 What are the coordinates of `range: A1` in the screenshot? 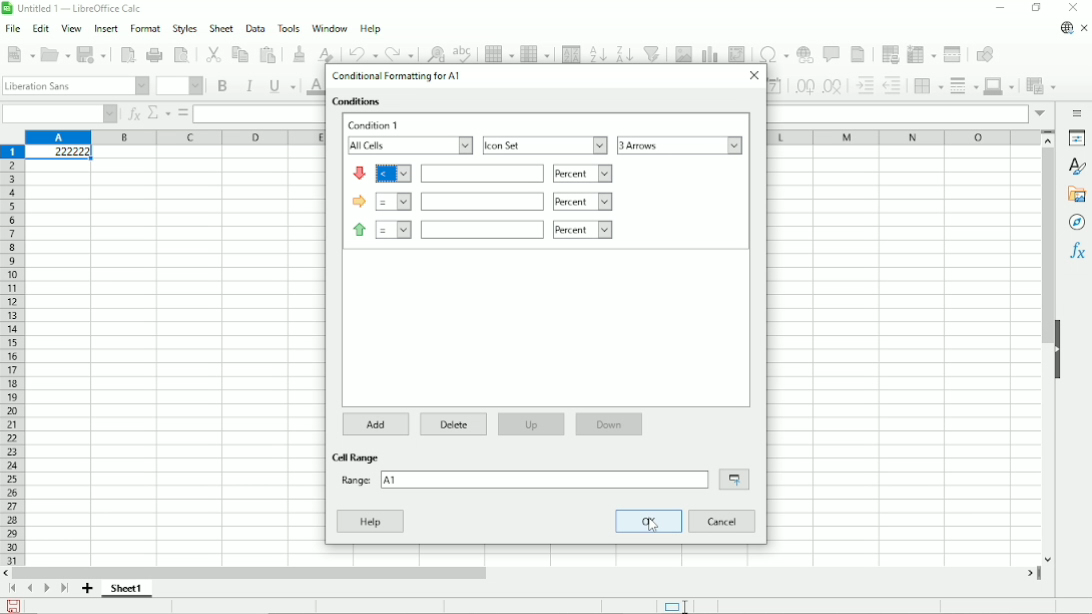 It's located at (522, 479).